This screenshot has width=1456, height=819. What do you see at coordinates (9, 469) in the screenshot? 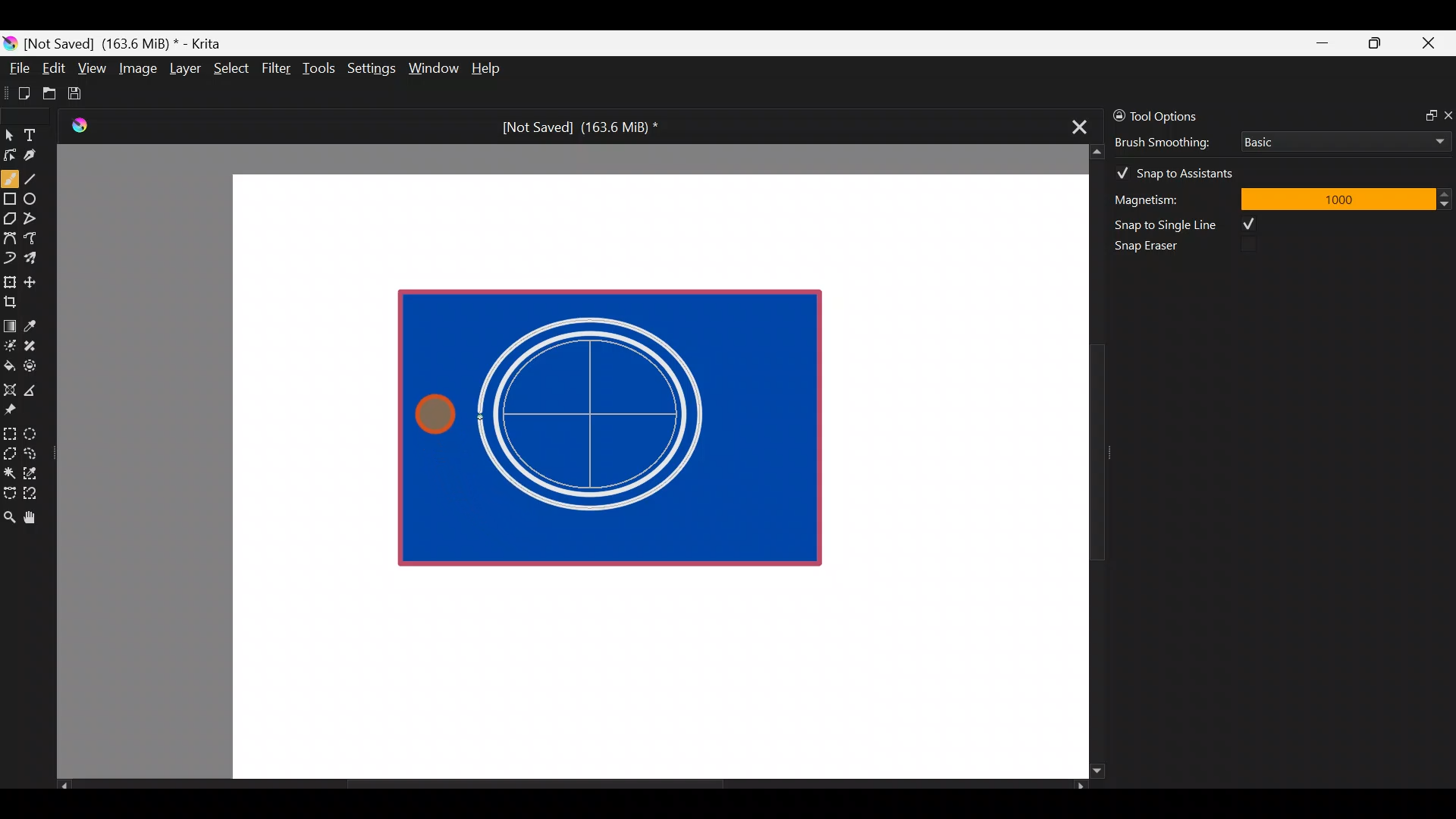
I see `Contiguous selection tool` at bounding box center [9, 469].